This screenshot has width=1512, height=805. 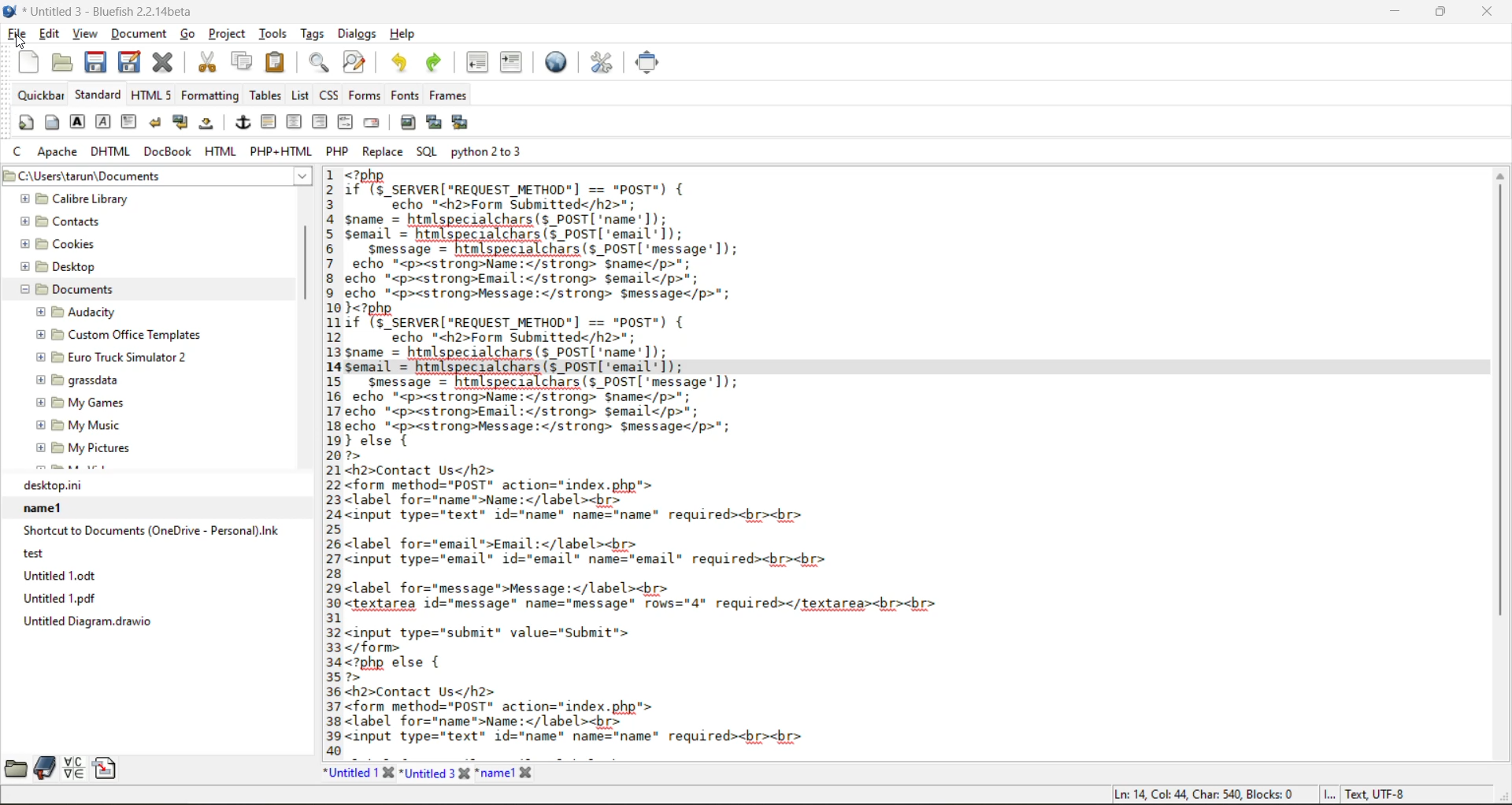 I want to click on edit preferences, so click(x=600, y=62).